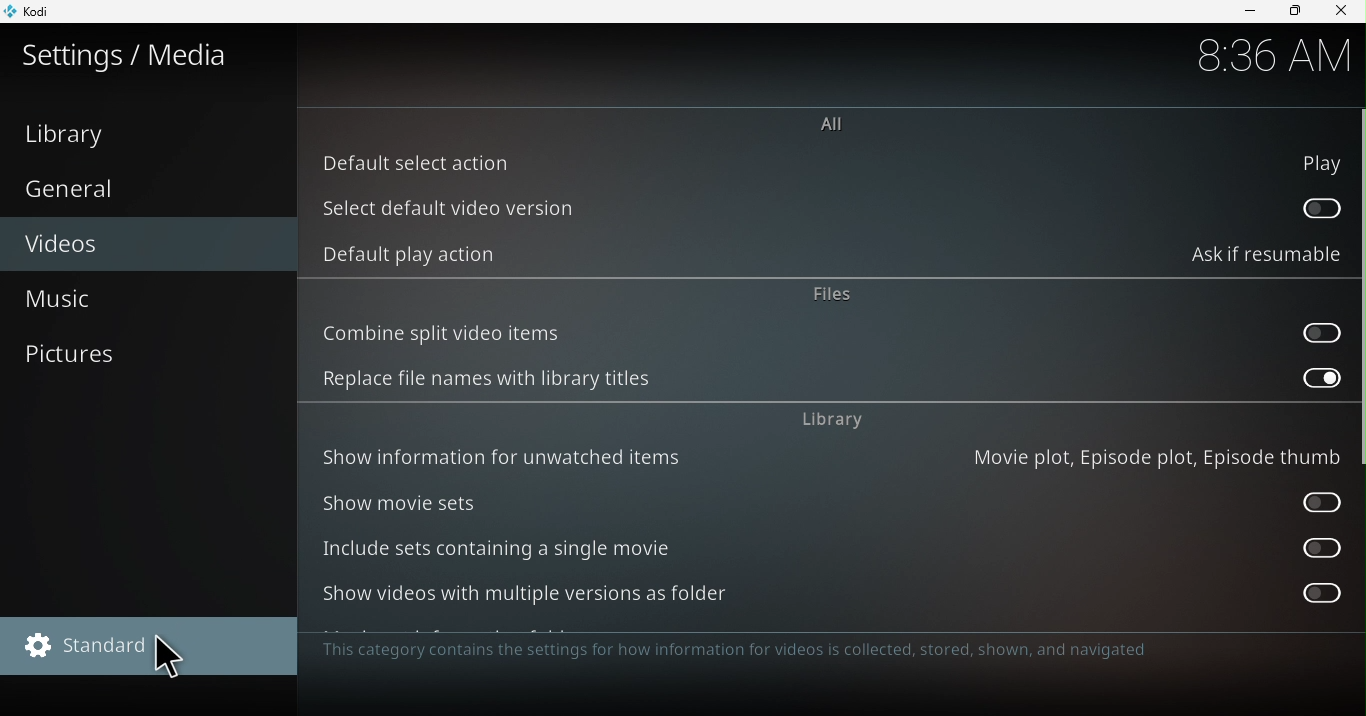 This screenshot has width=1366, height=716. Describe the element at coordinates (1242, 12) in the screenshot. I see `Minimize` at that location.